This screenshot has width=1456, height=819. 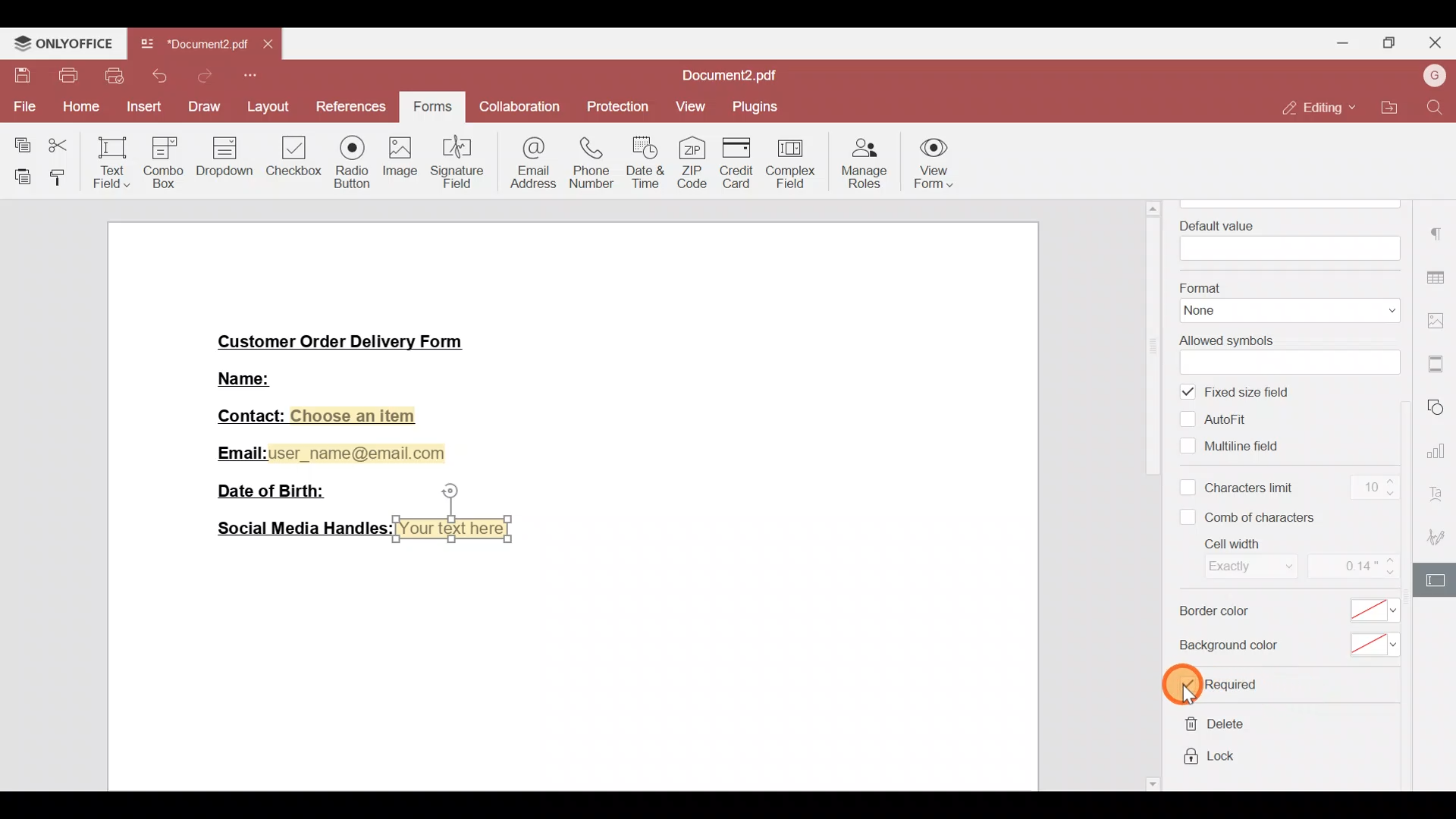 I want to click on Background color, so click(x=1283, y=646).